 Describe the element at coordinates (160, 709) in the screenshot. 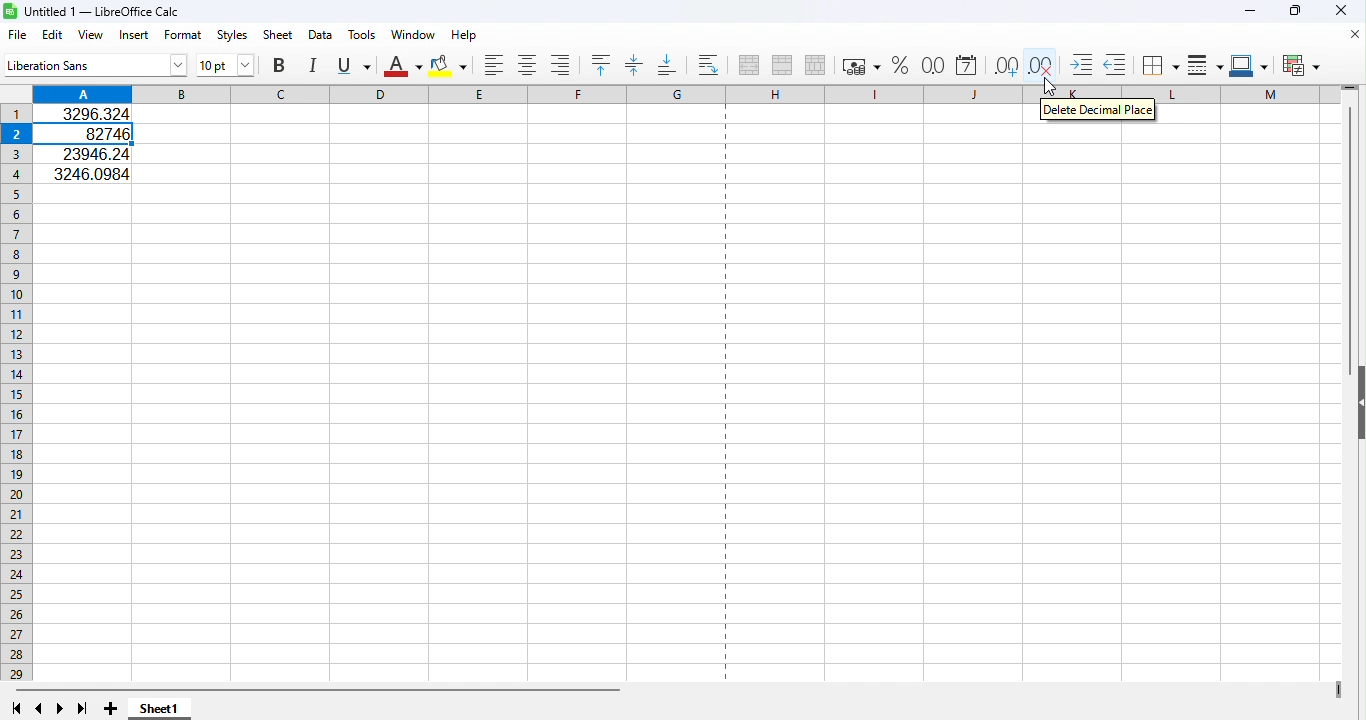

I see `Sheet1` at that location.